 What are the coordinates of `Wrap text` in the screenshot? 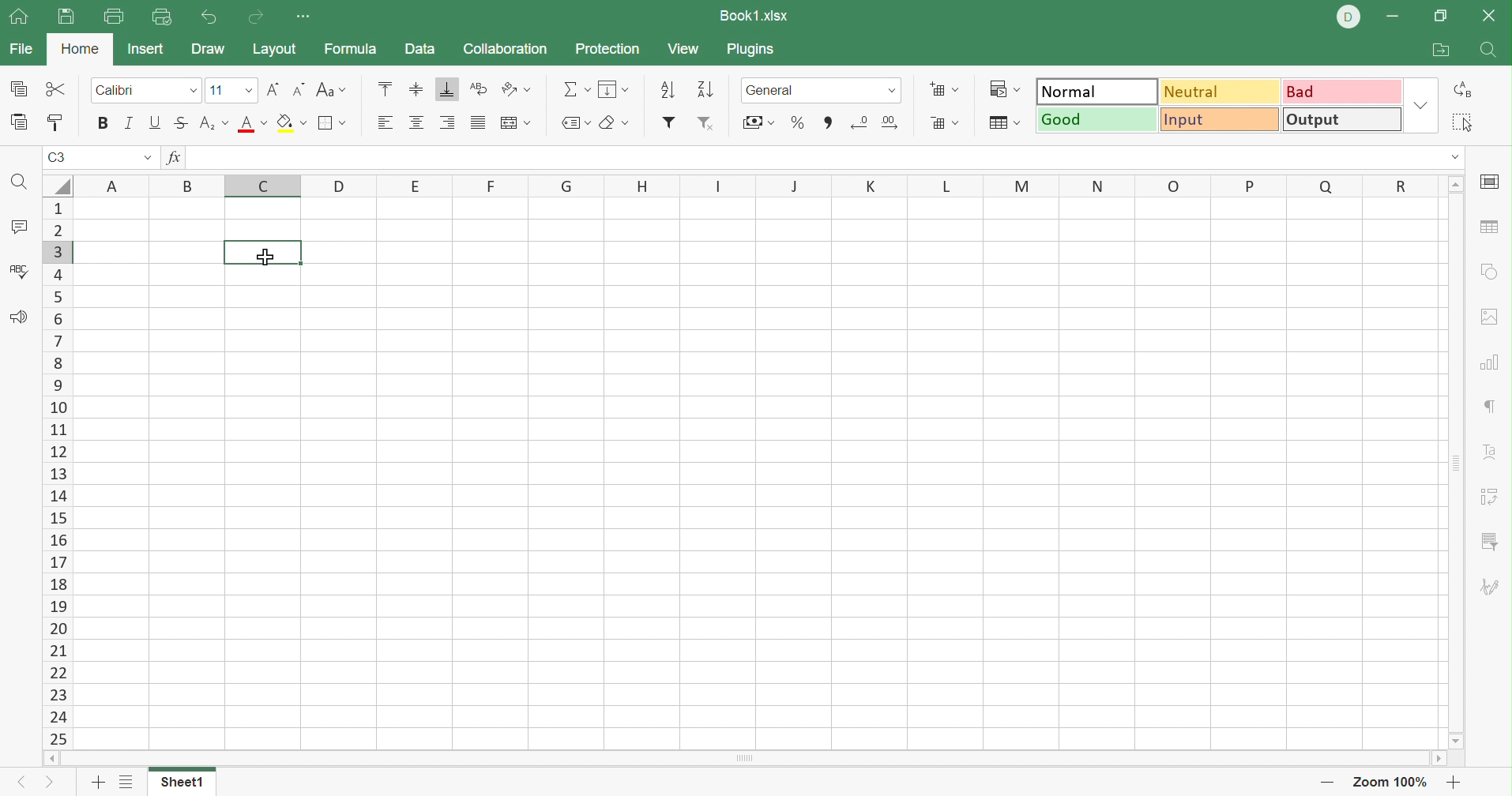 It's located at (480, 86).